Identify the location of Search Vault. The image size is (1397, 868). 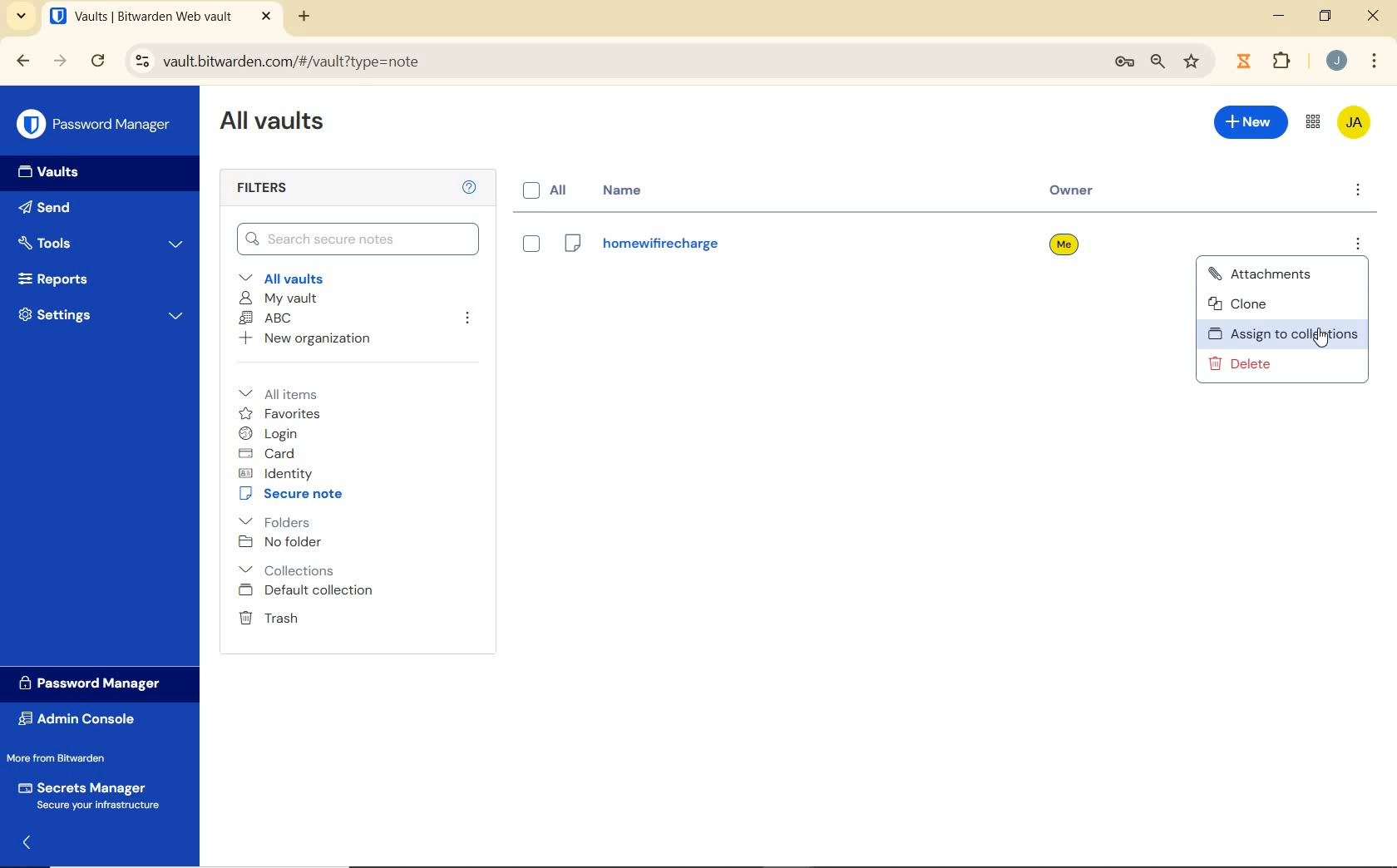
(358, 240).